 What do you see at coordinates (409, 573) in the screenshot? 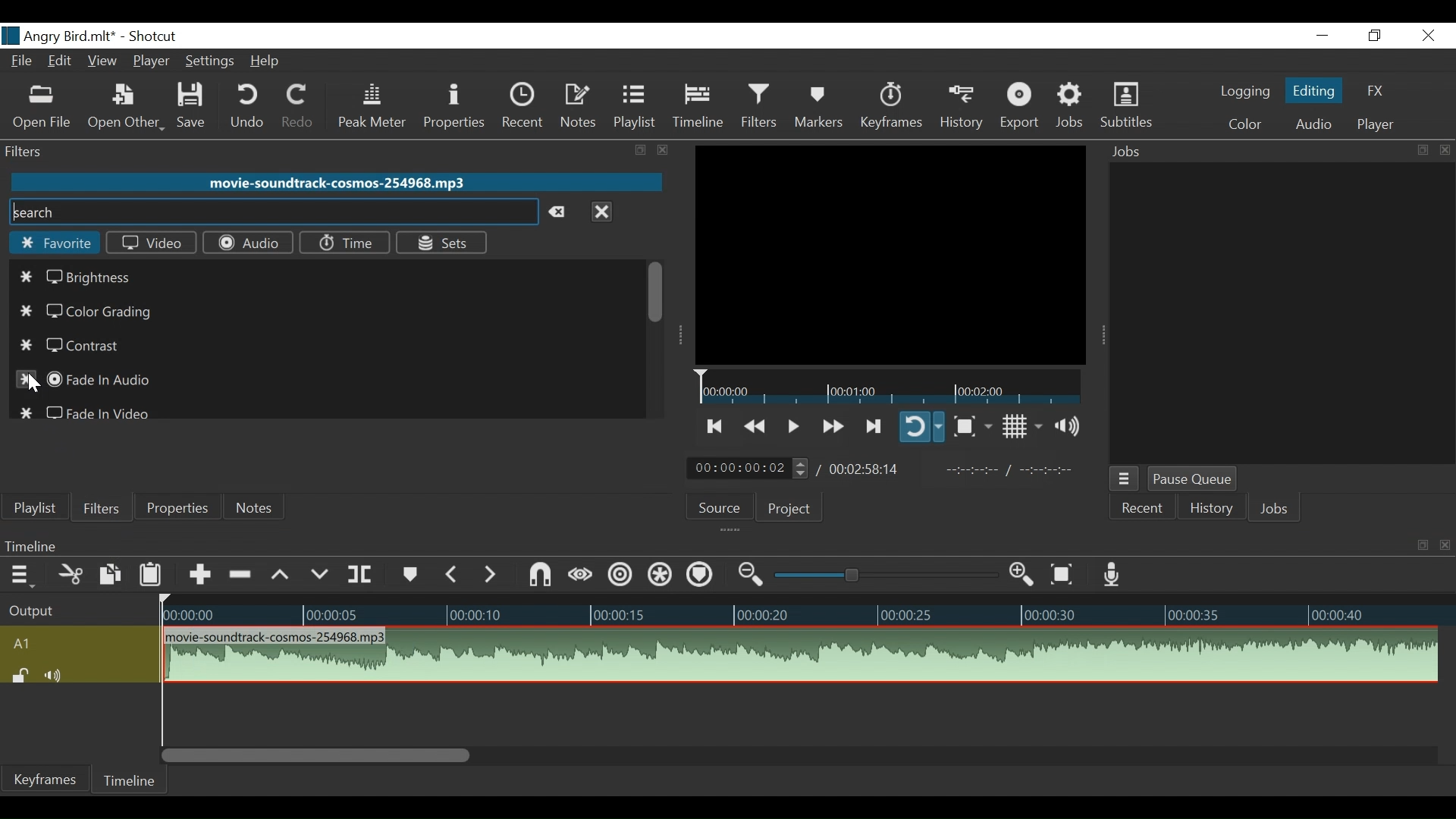
I see `Markers` at bounding box center [409, 573].